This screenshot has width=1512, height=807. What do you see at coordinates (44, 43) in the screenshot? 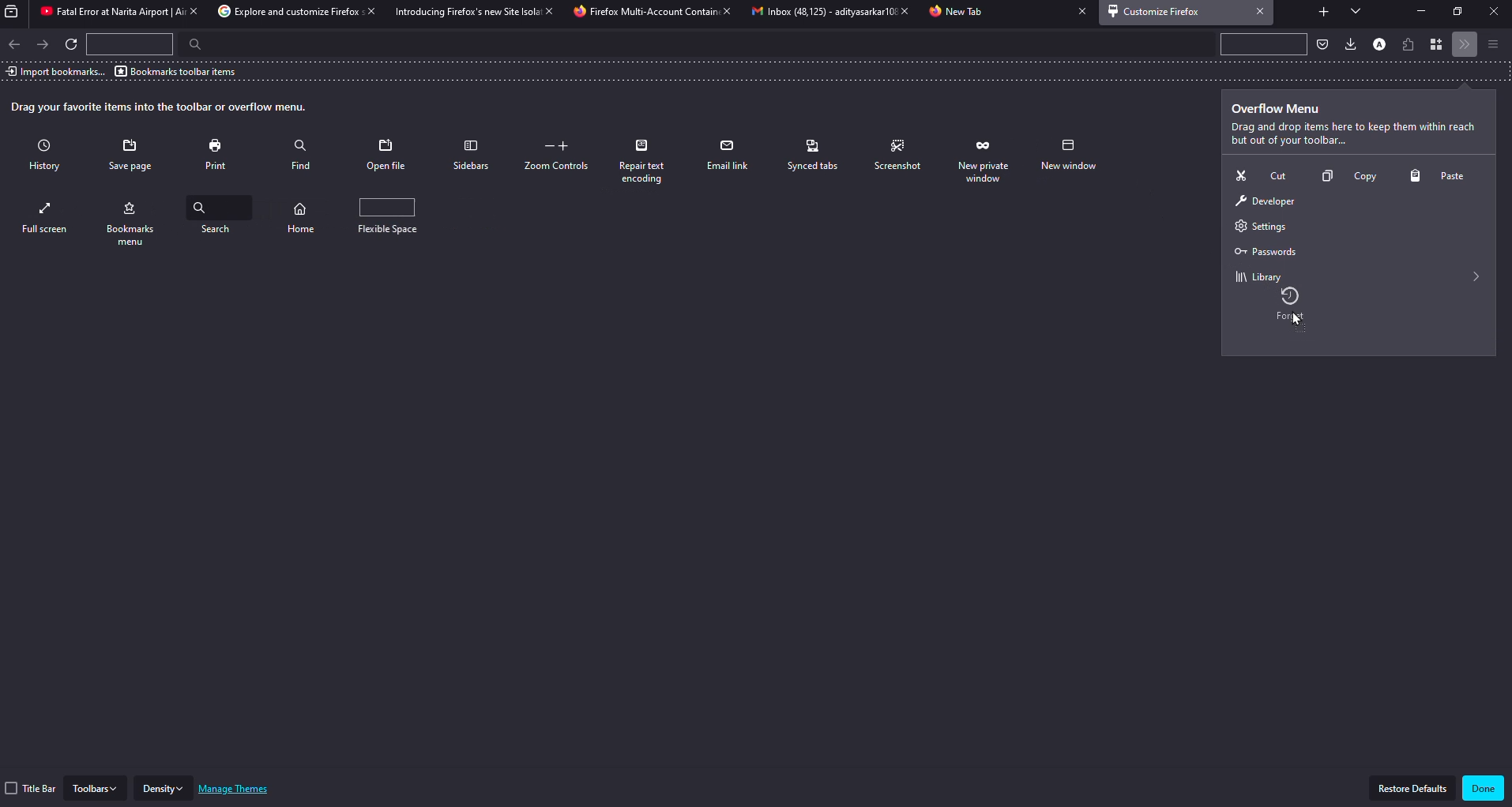
I see `forward` at bounding box center [44, 43].